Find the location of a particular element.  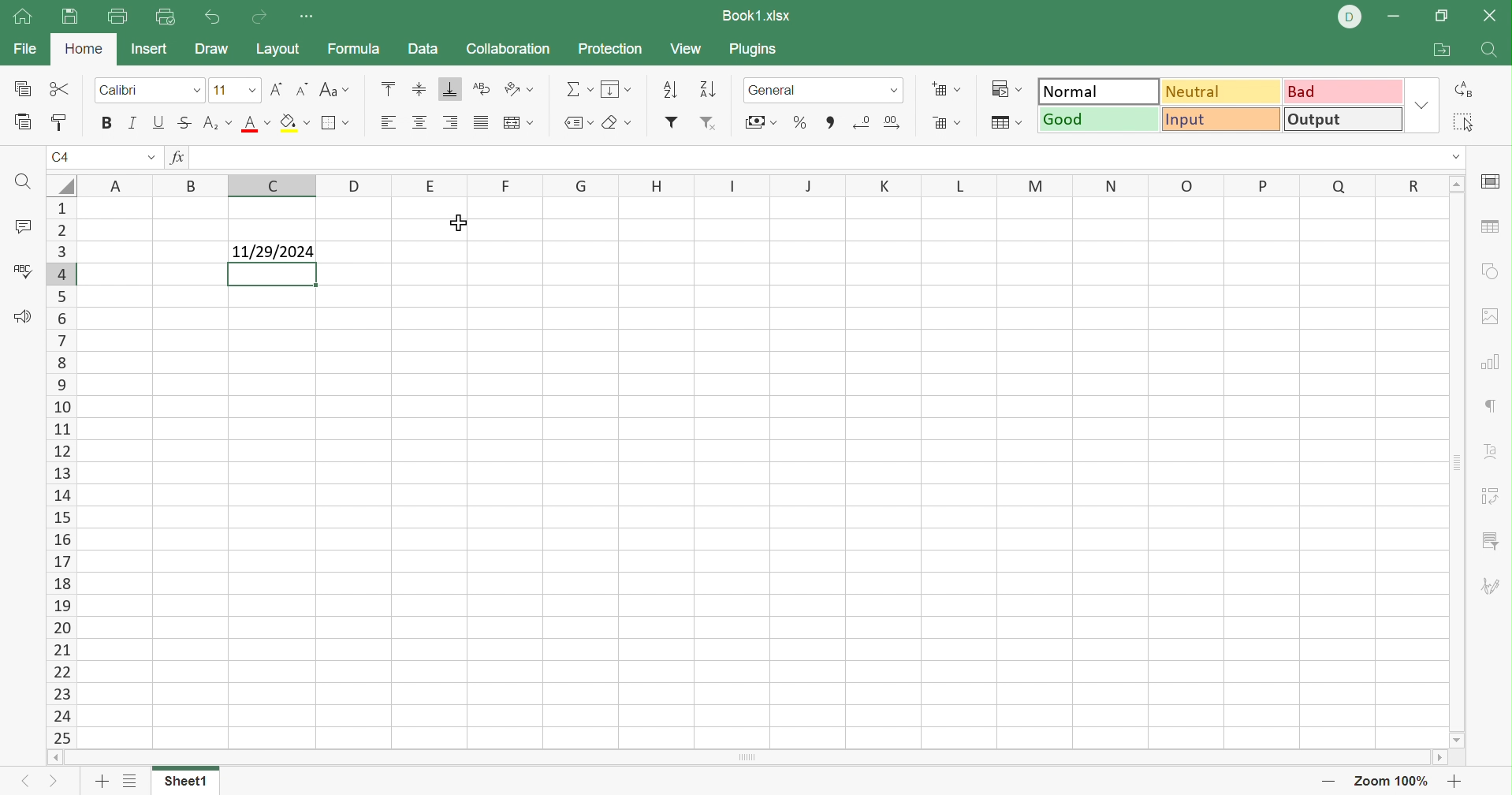

Insert is located at coordinates (153, 50).